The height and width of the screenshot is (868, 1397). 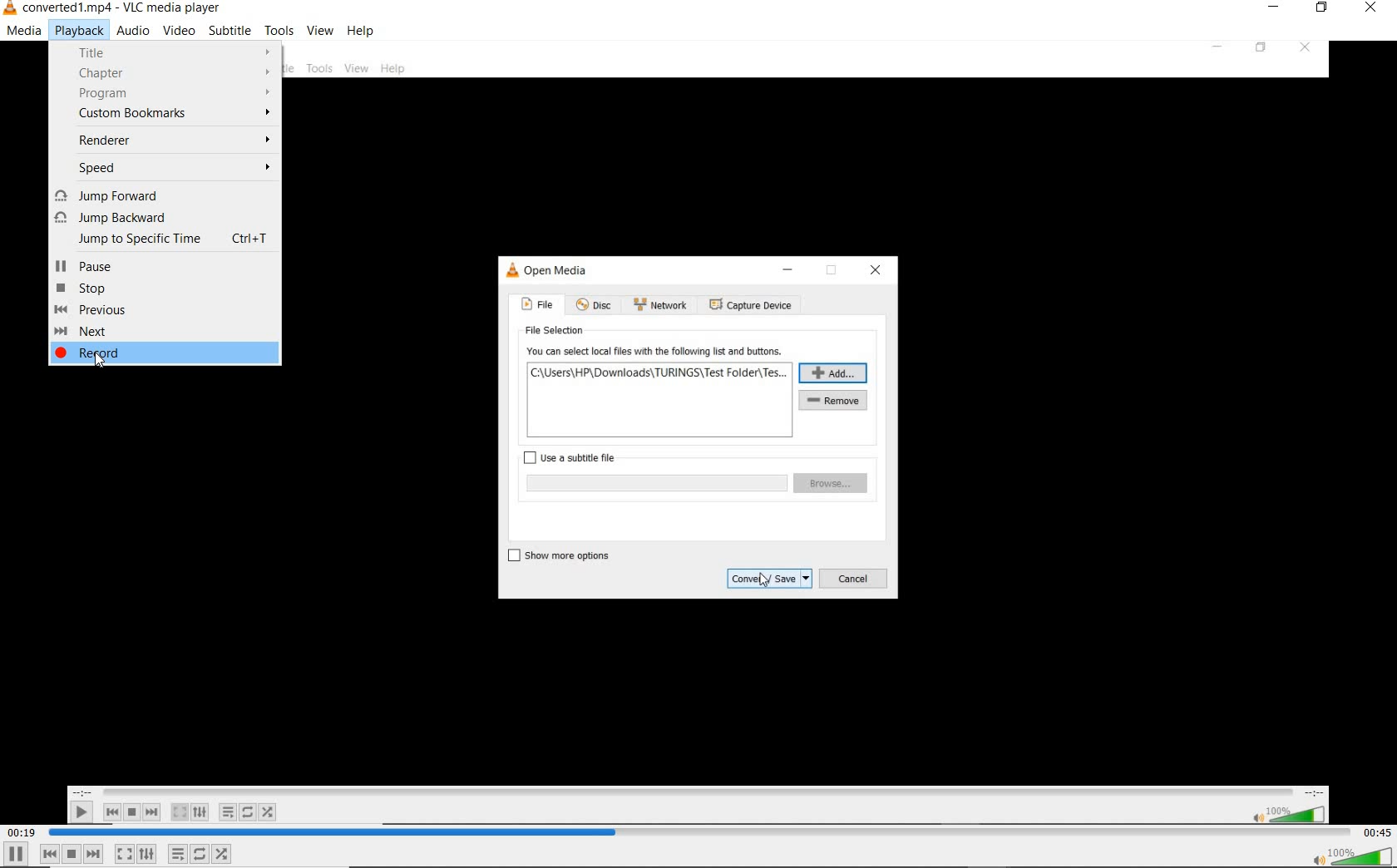 I want to click on stop, so click(x=72, y=853).